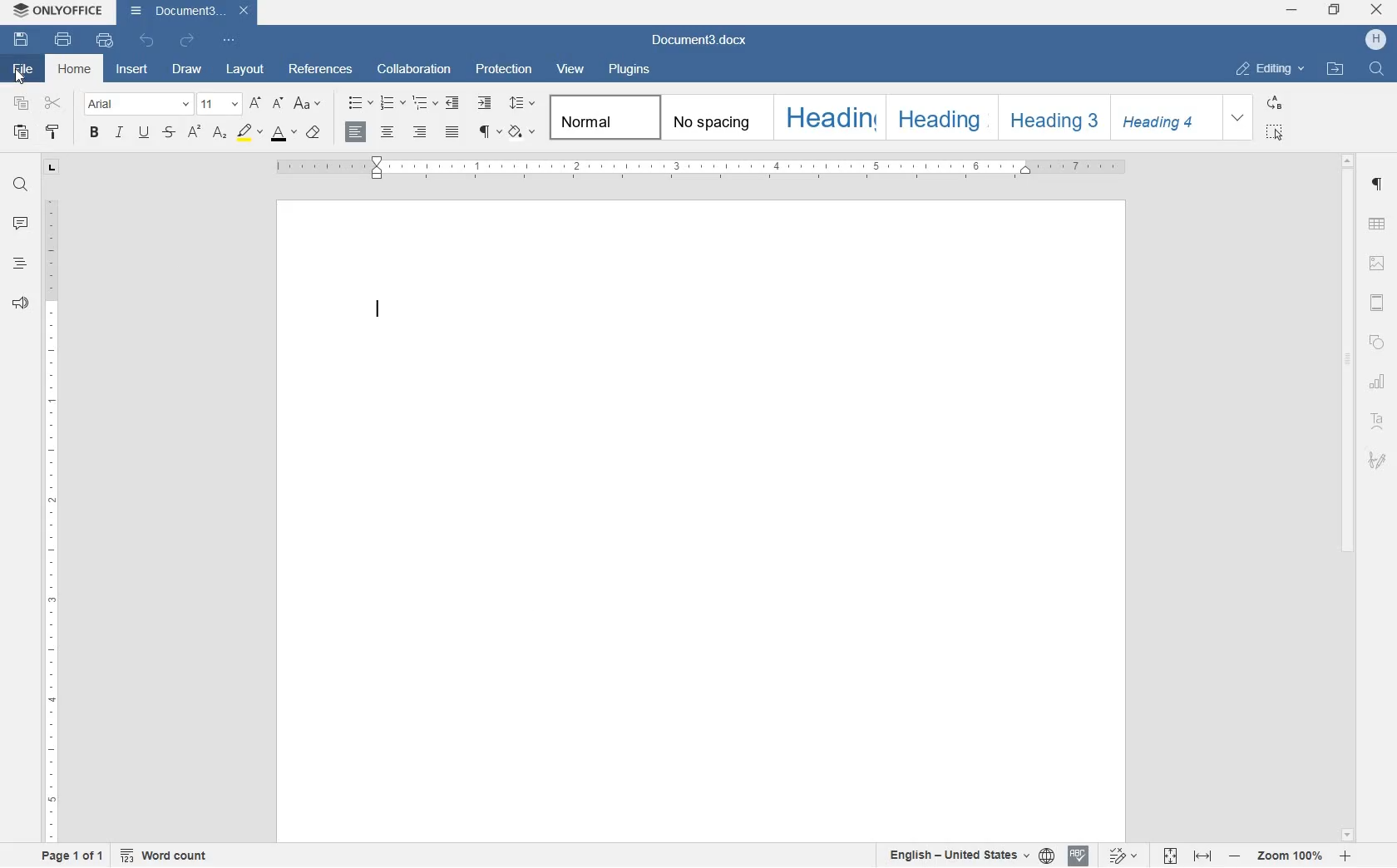 This screenshot has height=868, width=1397. I want to click on draw, so click(188, 69).